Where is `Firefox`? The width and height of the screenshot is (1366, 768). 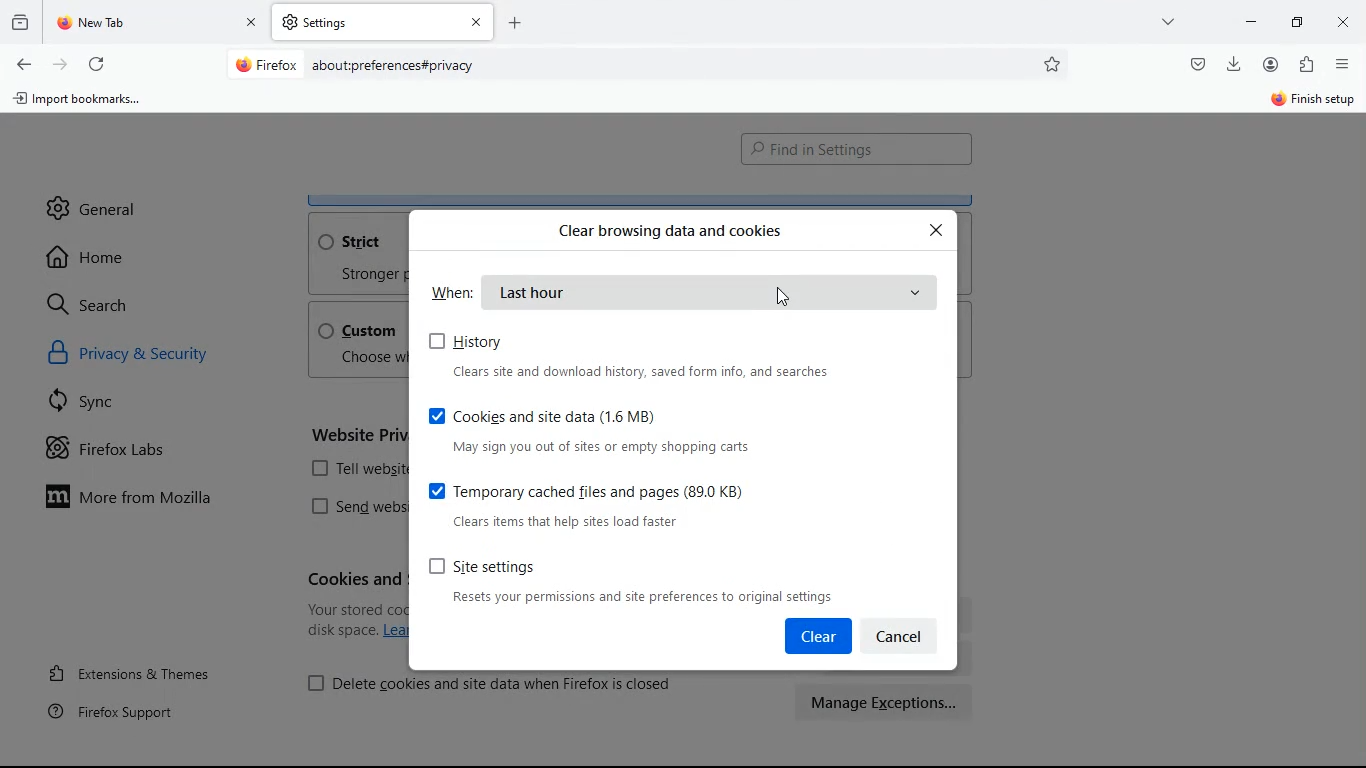 Firefox is located at coordinates (267, 64).